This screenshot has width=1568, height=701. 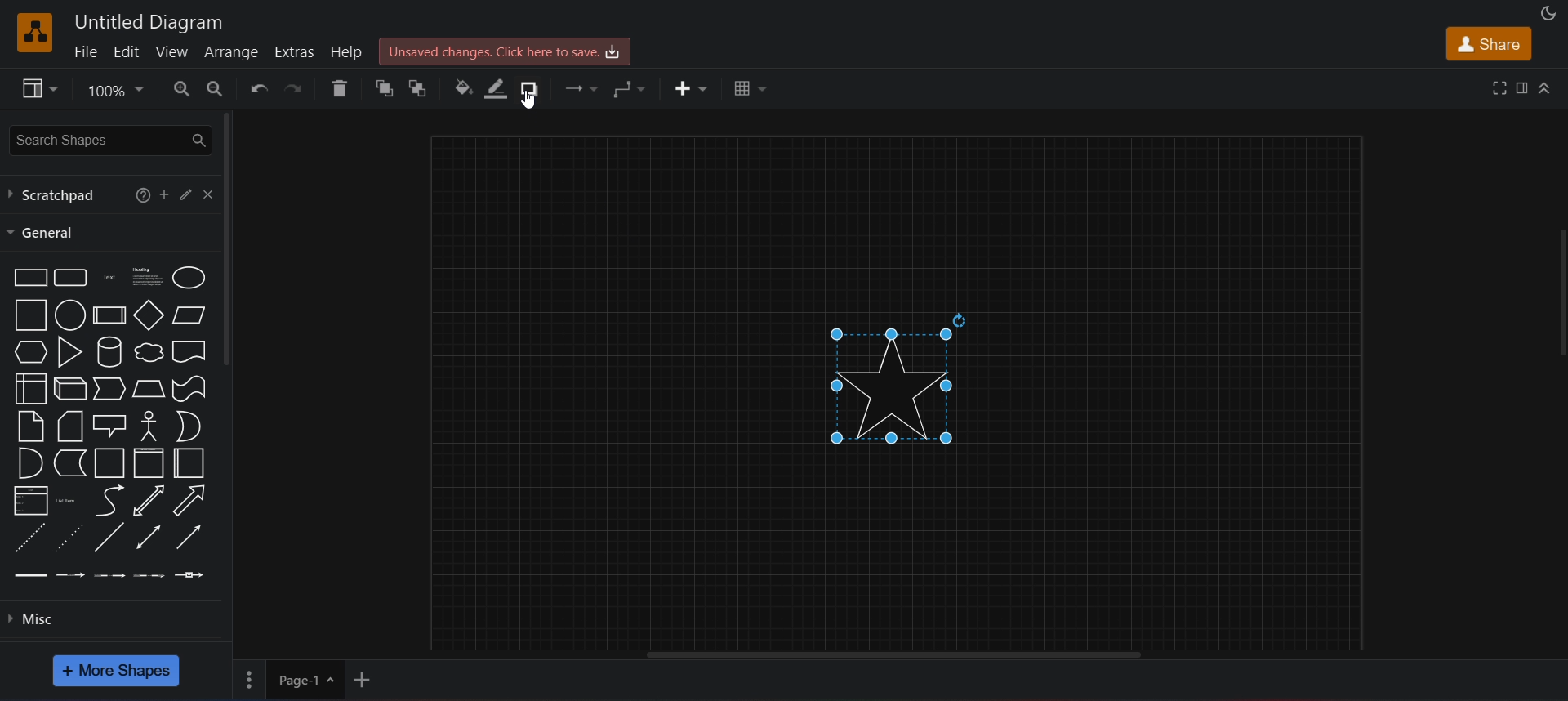 I want to click on connection, so click(x=581, y=85).